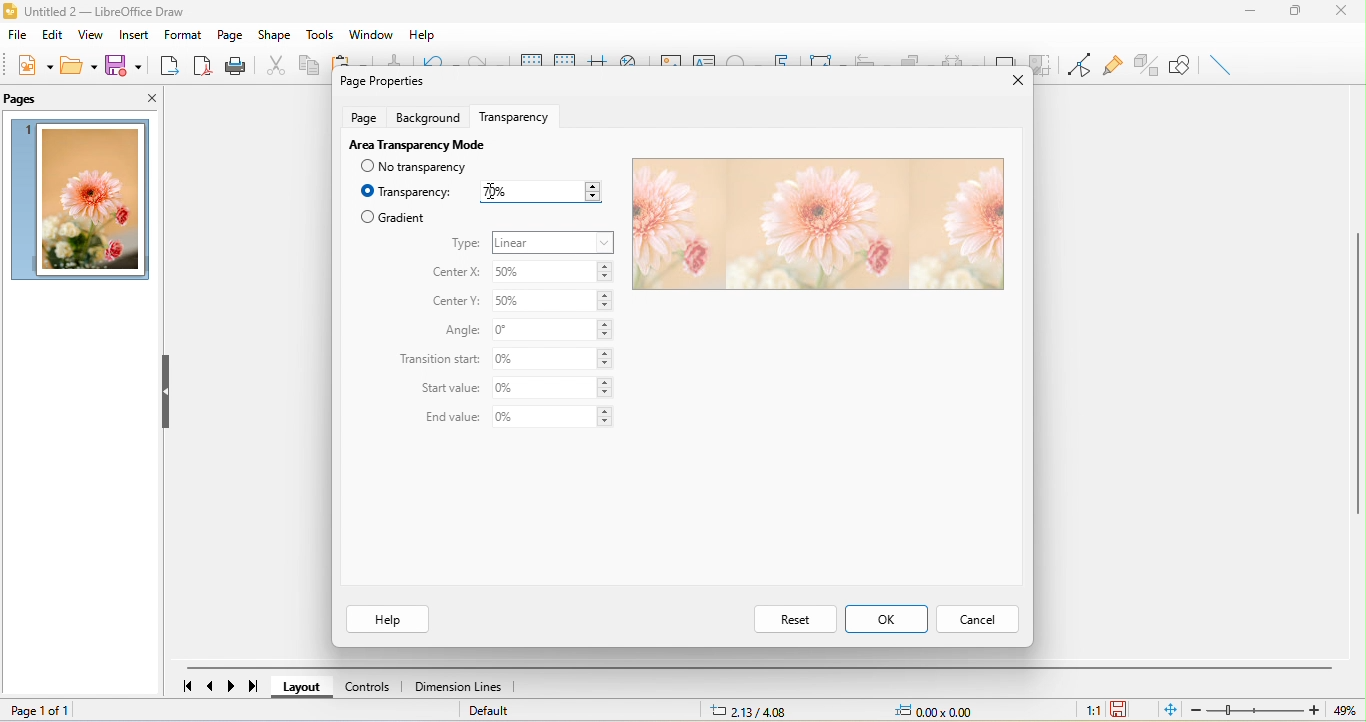 This screenshot has width=1366, height=722. Describe the element at coordinates (794, 618) in the screenshot. I see `reset` at that location.